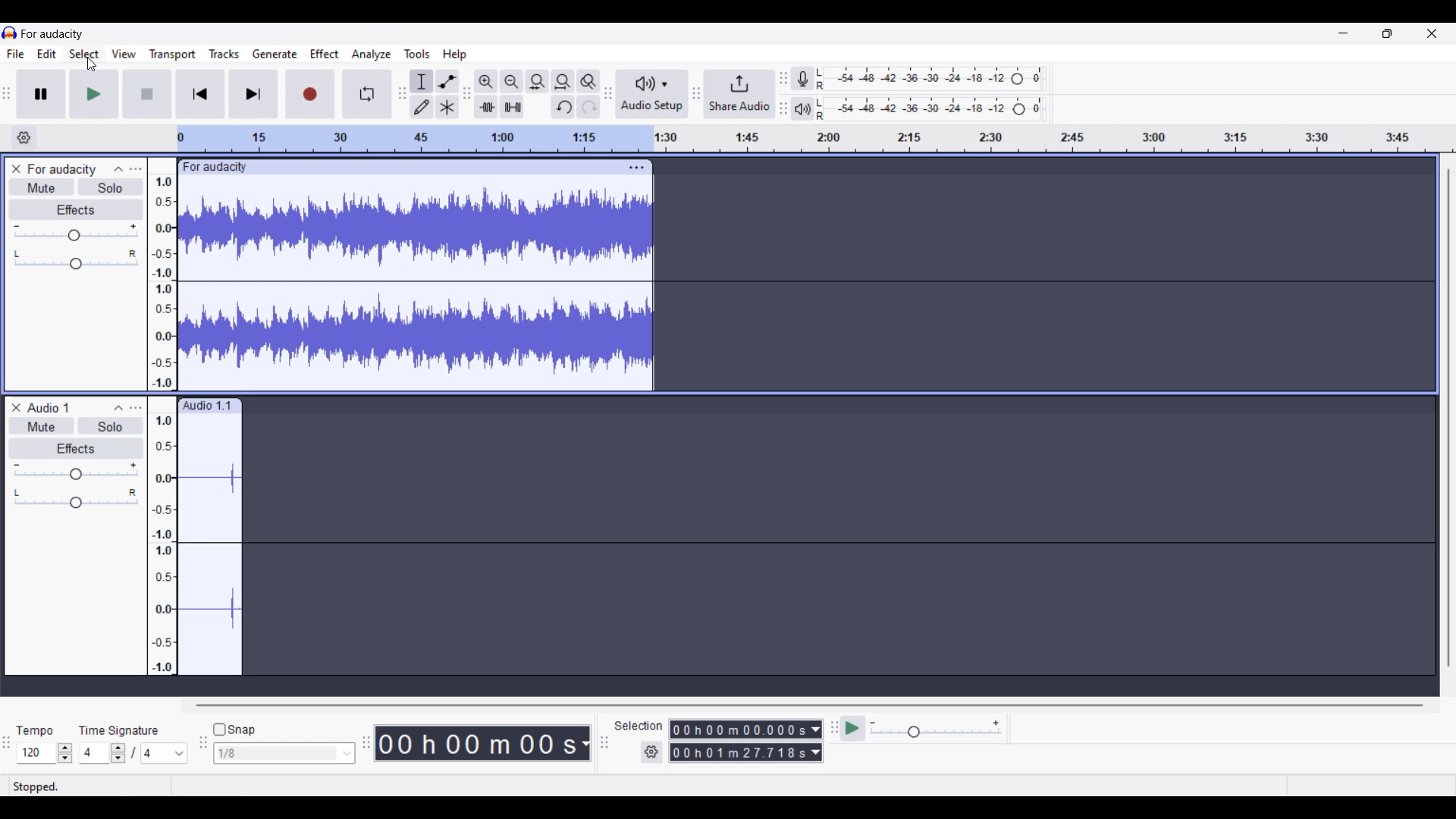 The height and width of the screenshot is (819, 1456). What do you see at coordinates (538, 81) in the screenshot?
I see `Fit selection to width` at bounding box center [538, 81].